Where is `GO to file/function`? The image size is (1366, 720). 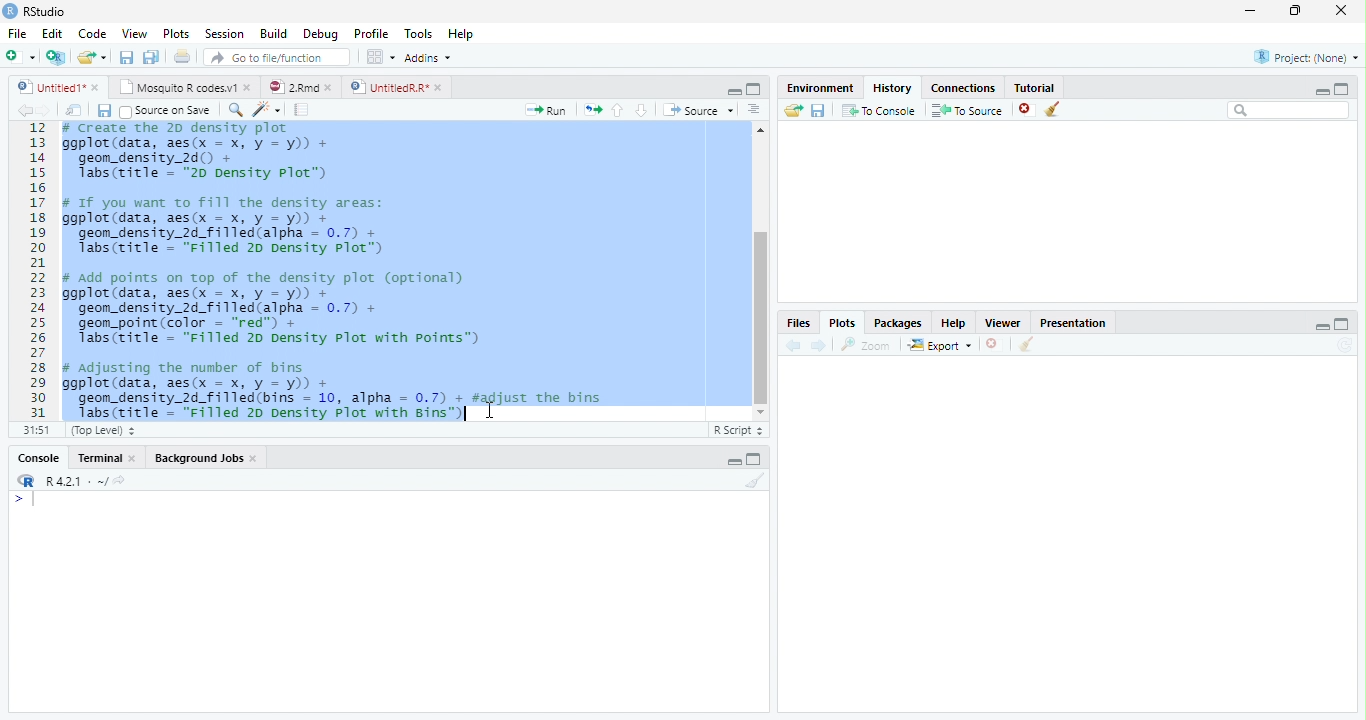 GO to file/function is located at coordinates (273, 57).